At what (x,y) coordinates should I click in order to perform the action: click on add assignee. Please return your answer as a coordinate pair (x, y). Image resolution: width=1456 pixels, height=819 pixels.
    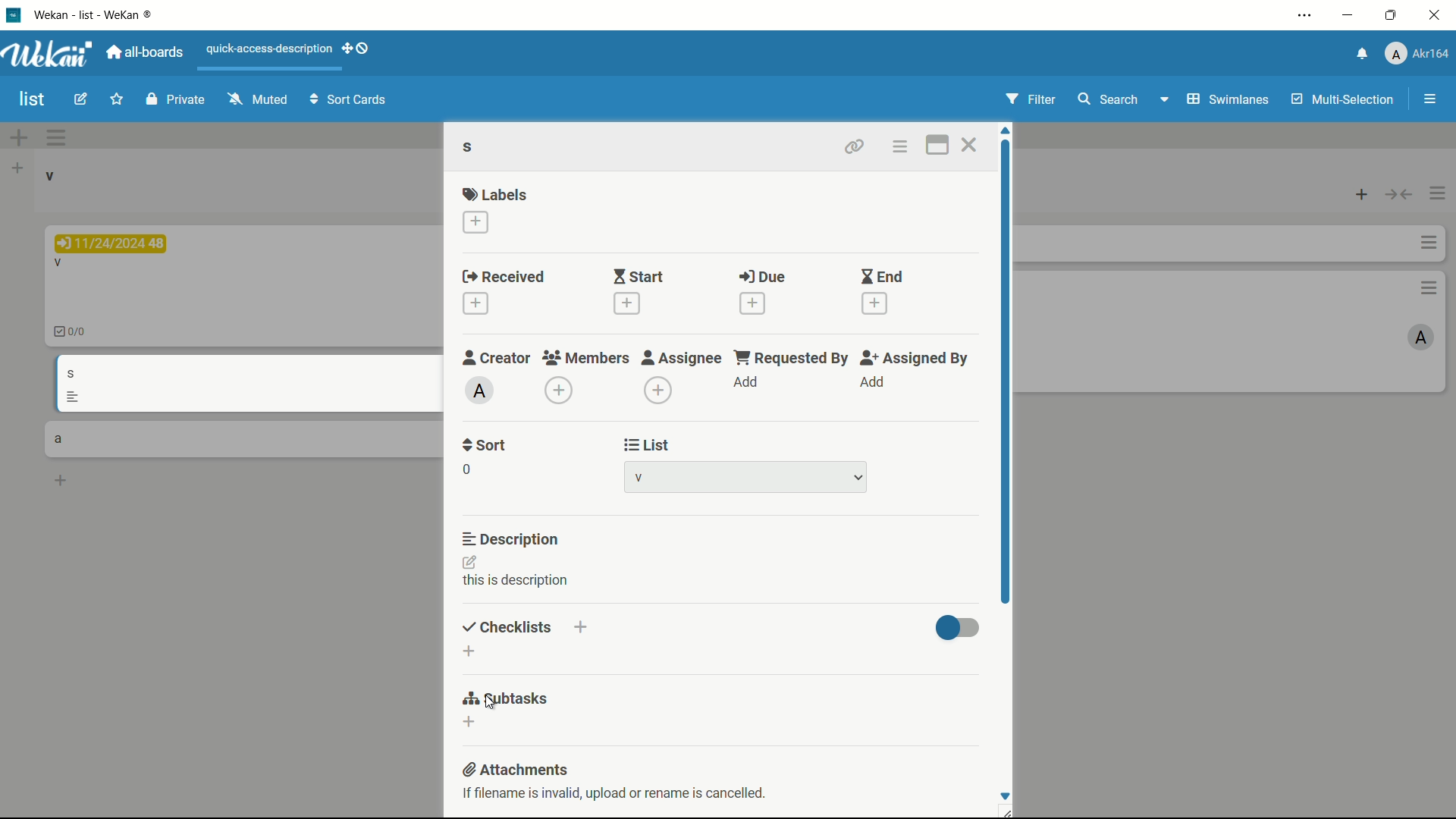
    Looking at the image, I should click on (658, 391).